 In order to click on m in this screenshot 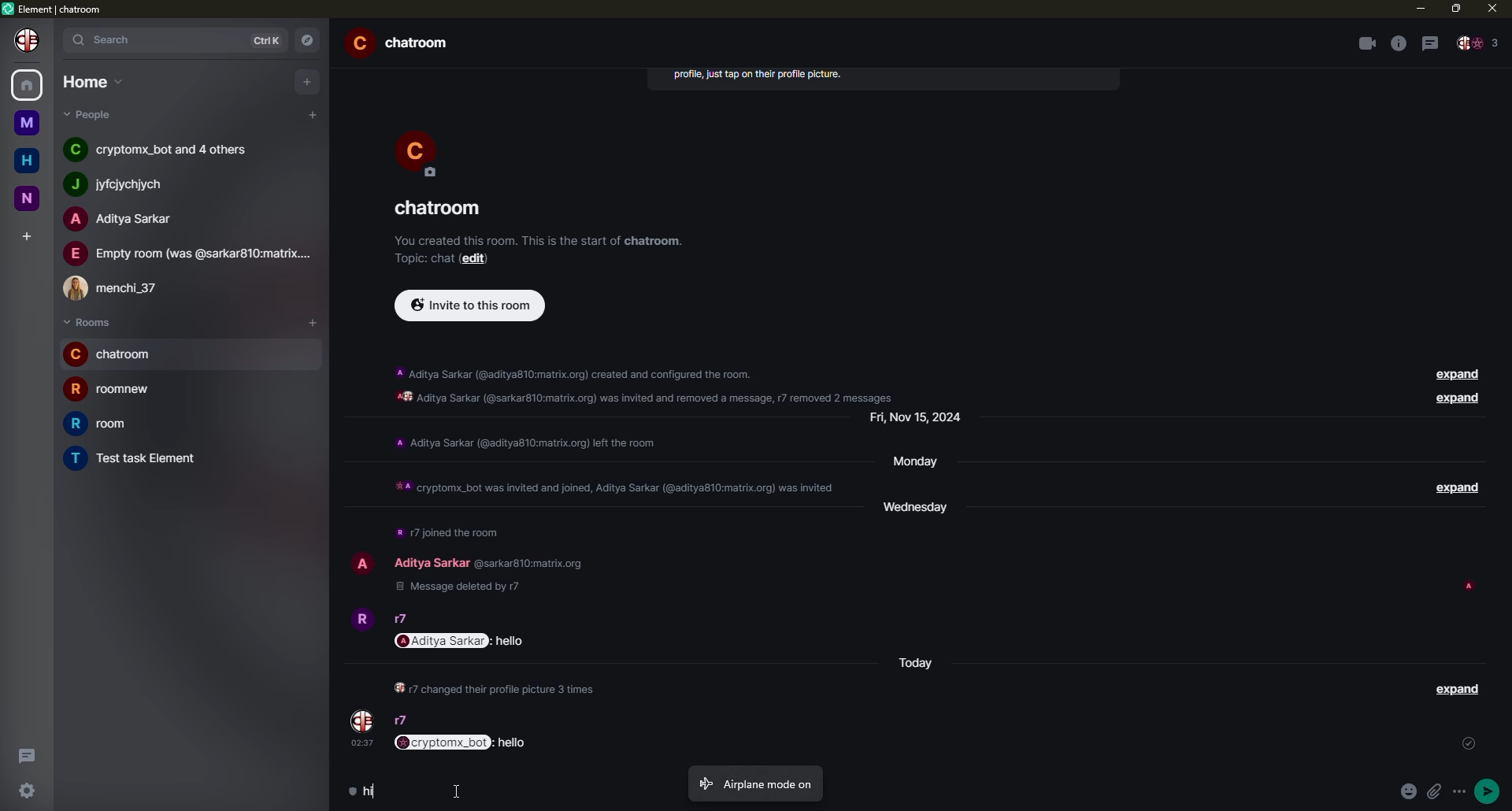, I will do `click(28, 122)`.